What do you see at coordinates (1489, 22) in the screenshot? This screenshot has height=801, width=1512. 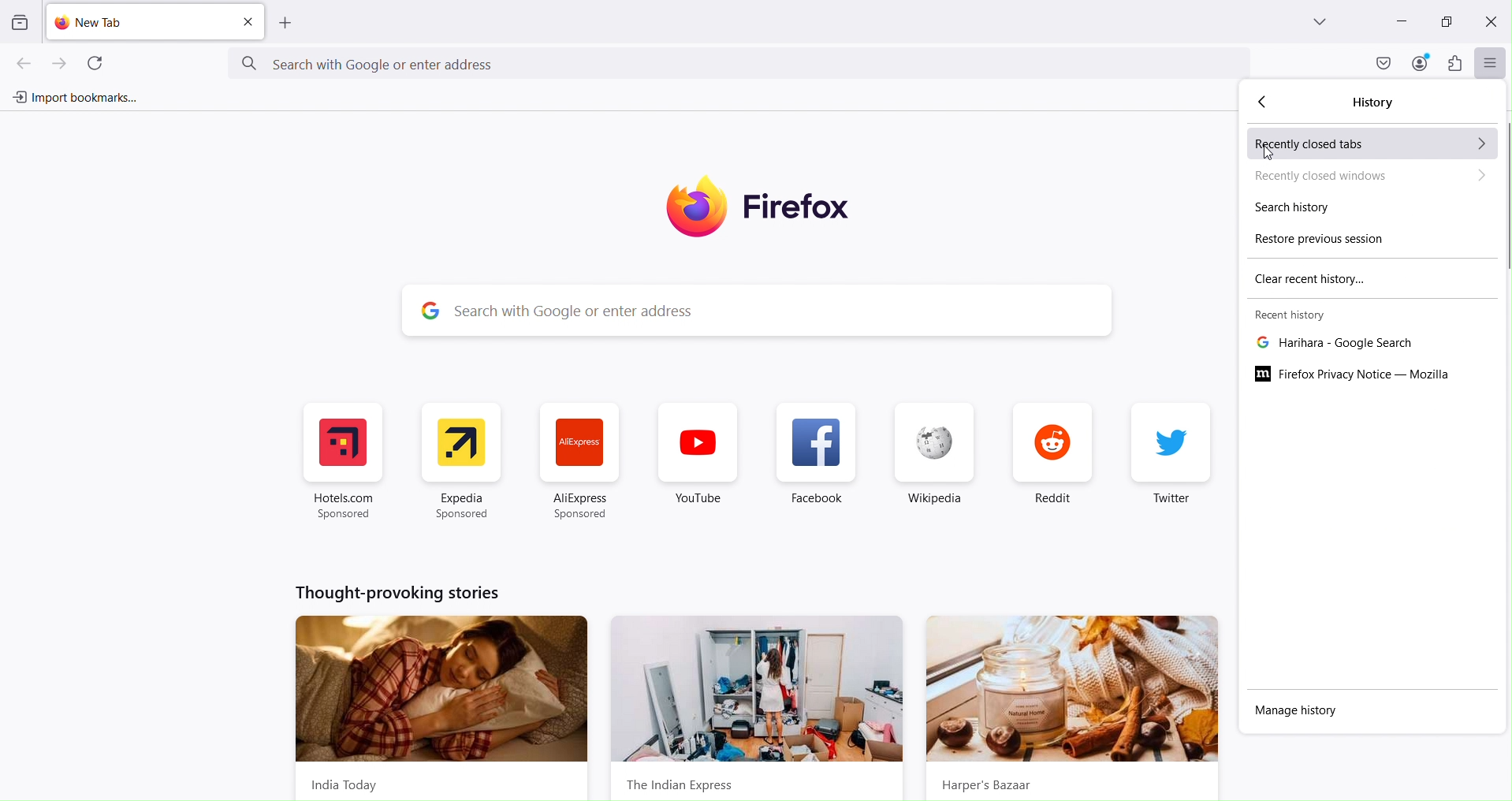 I see `Close` at bounding box center [1489, 22].